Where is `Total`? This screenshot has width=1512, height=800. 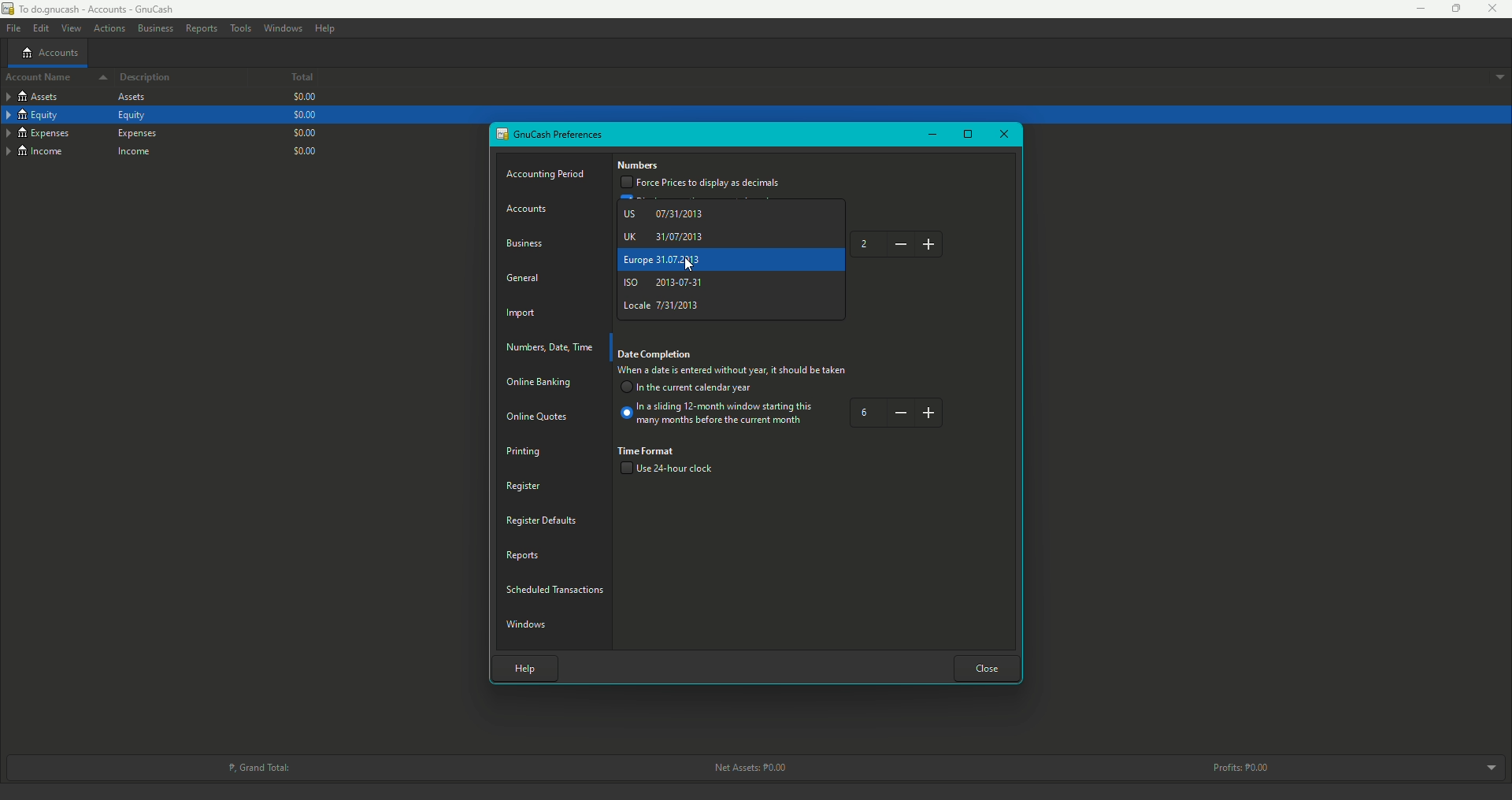
Total is located at coordinates (290, 79).